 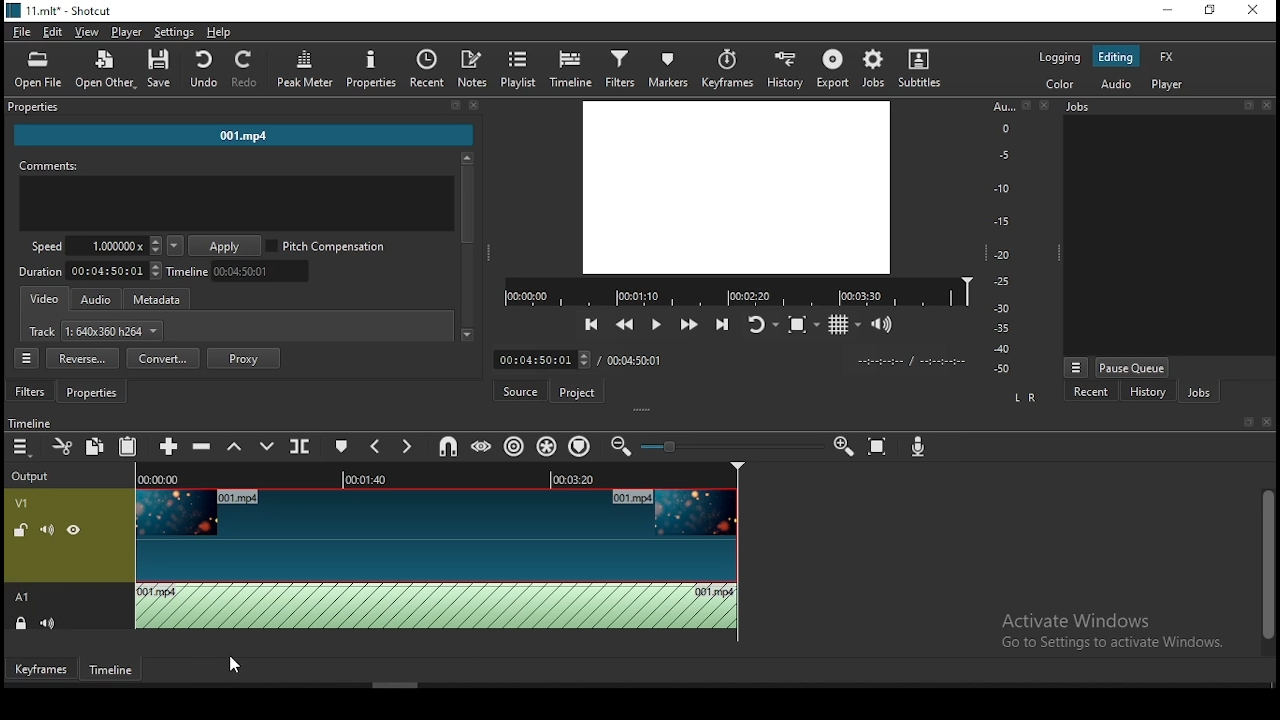 I want to click on create/edit marker, so click(x=343, y=448).